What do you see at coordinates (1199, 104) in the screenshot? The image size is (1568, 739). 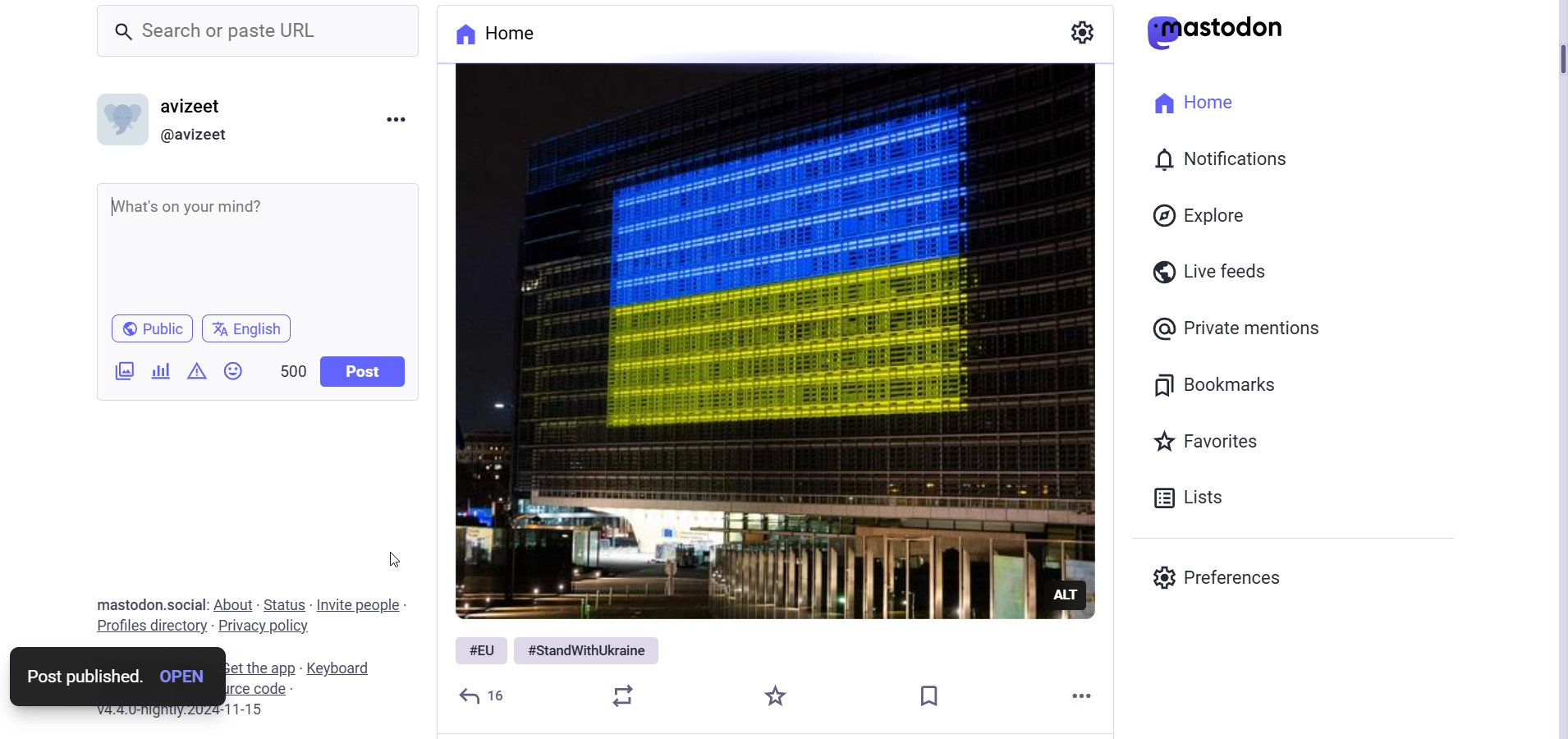 I see `Home` at bounding box center [1199, 104].